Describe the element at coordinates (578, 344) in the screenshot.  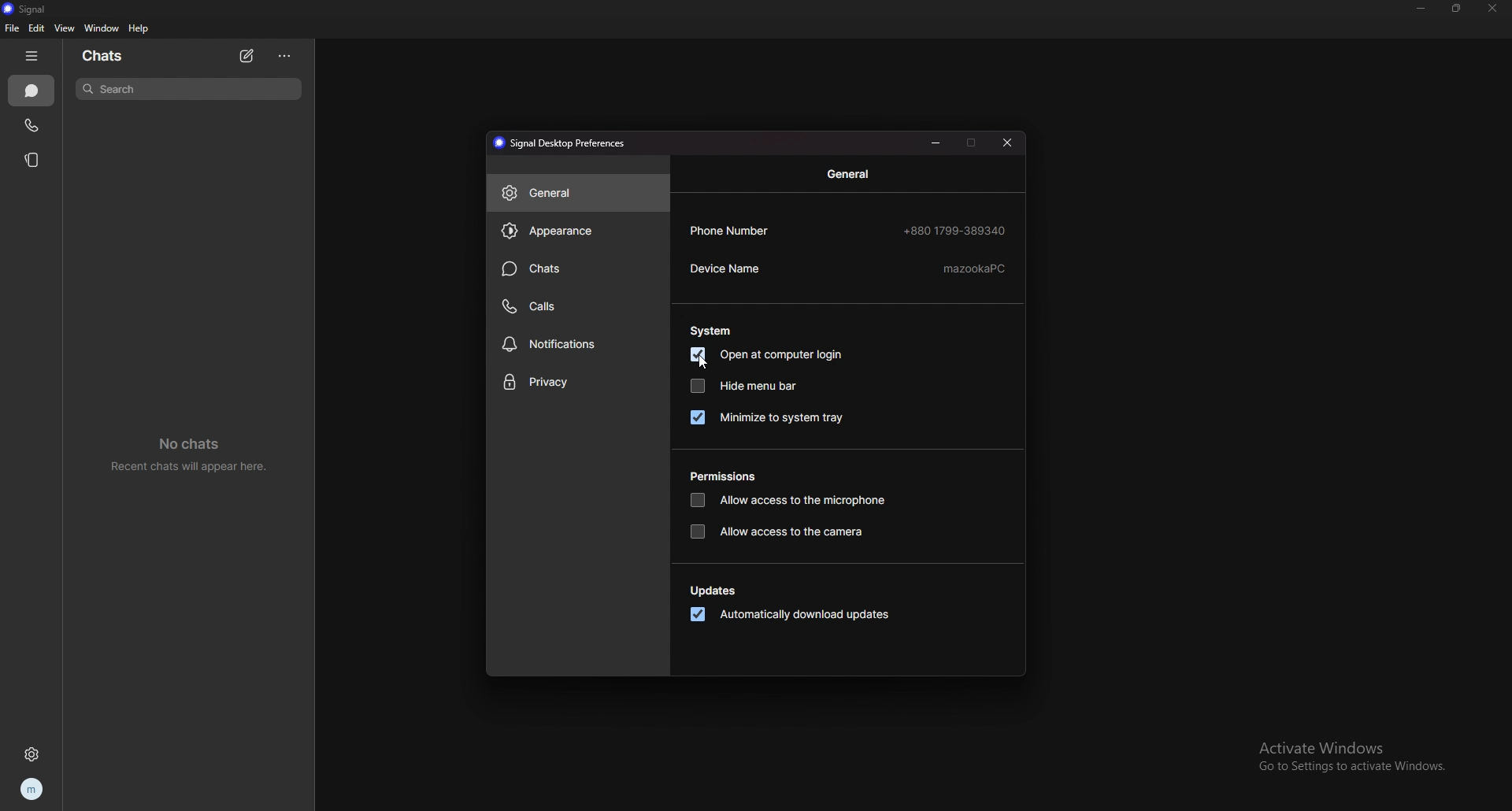
I see `notifications` at that location.